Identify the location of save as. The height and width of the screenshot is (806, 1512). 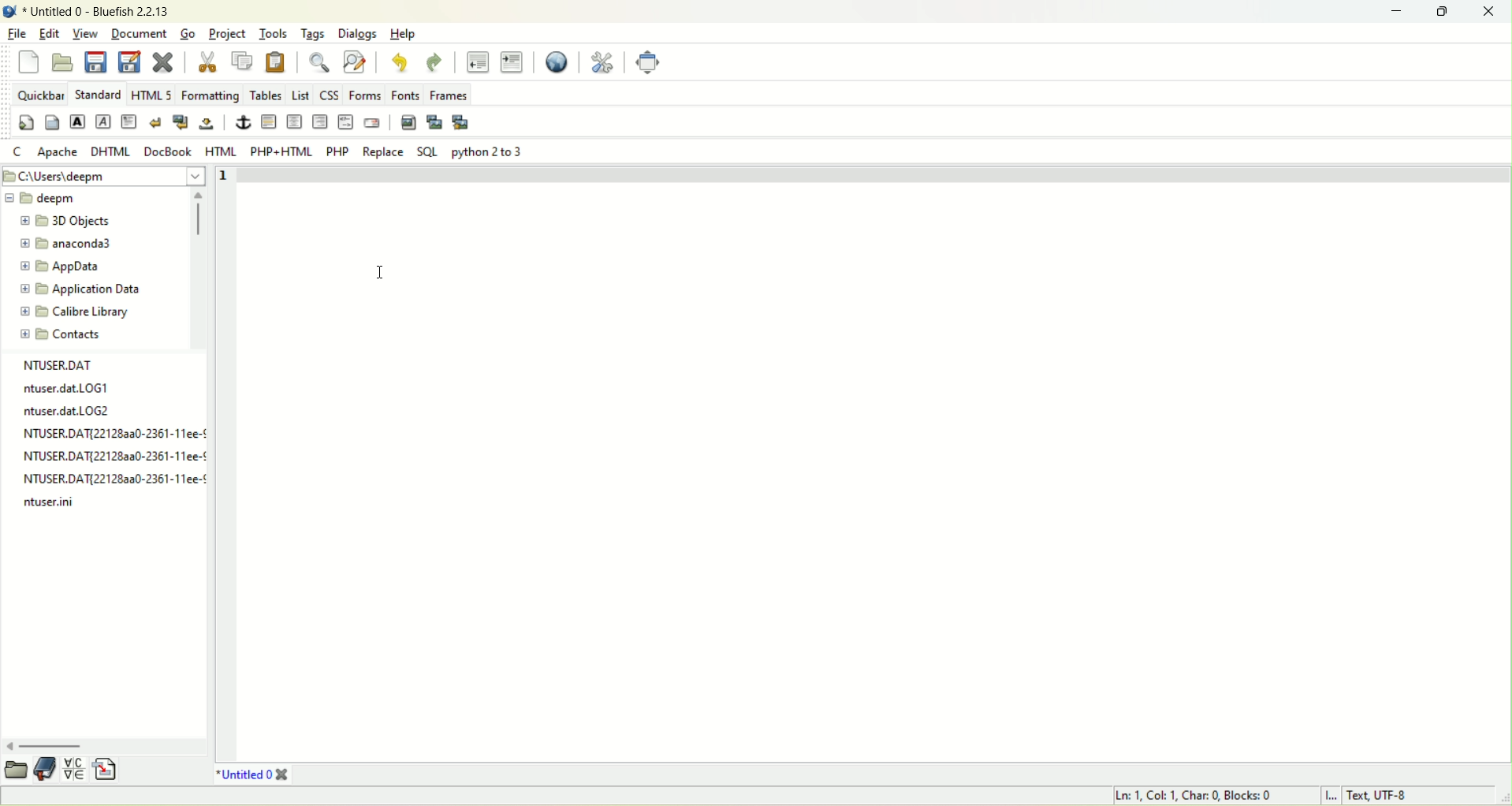
(131, 62).